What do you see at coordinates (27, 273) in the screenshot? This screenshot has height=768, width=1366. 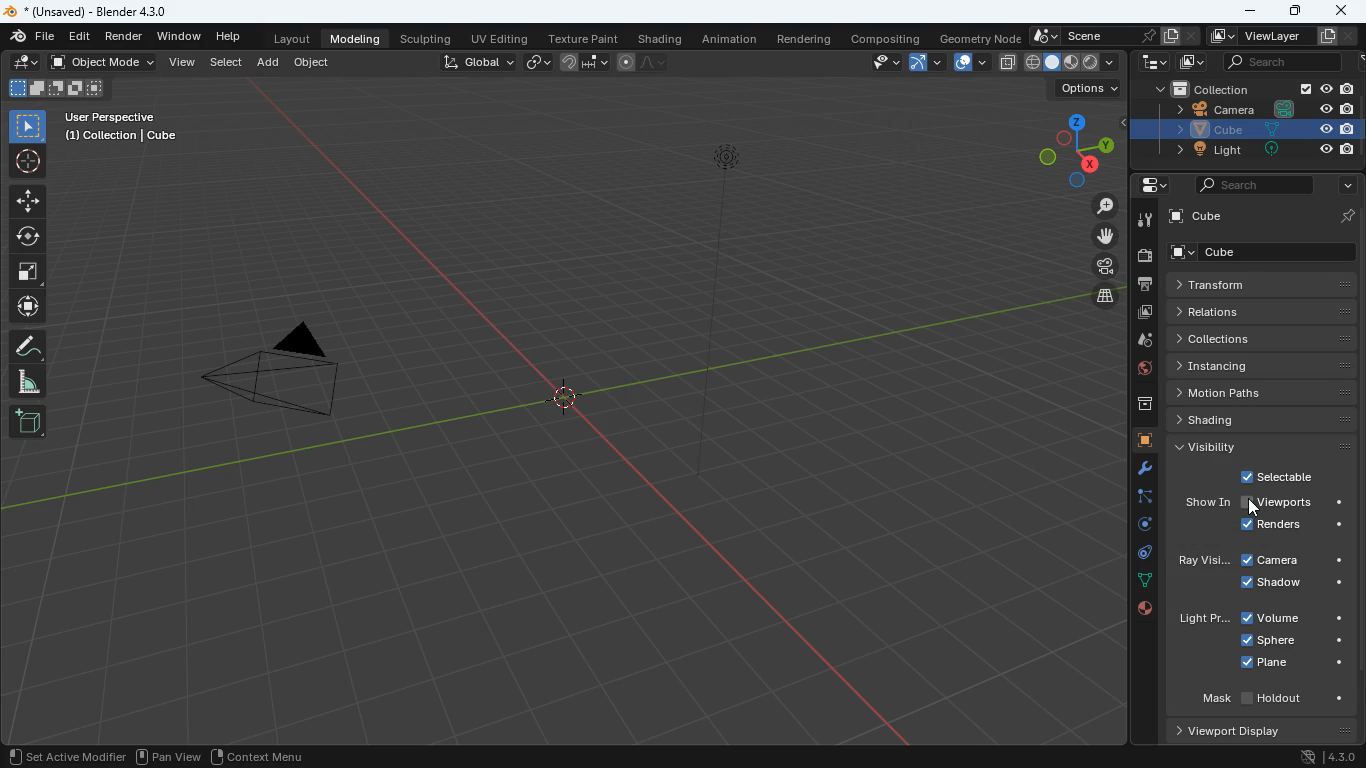 I see `full screen` at bounding box center [27, 273].